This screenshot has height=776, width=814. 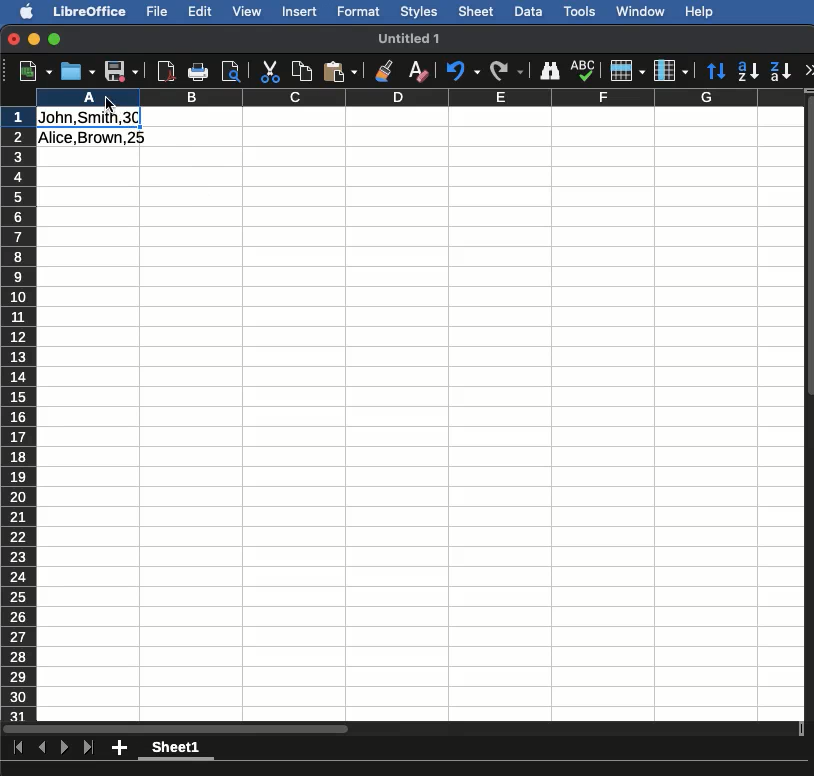 What do you see at coordinates (809, 424) in the screenshot?
I see `Scroll` at bounding box center [809, 424].